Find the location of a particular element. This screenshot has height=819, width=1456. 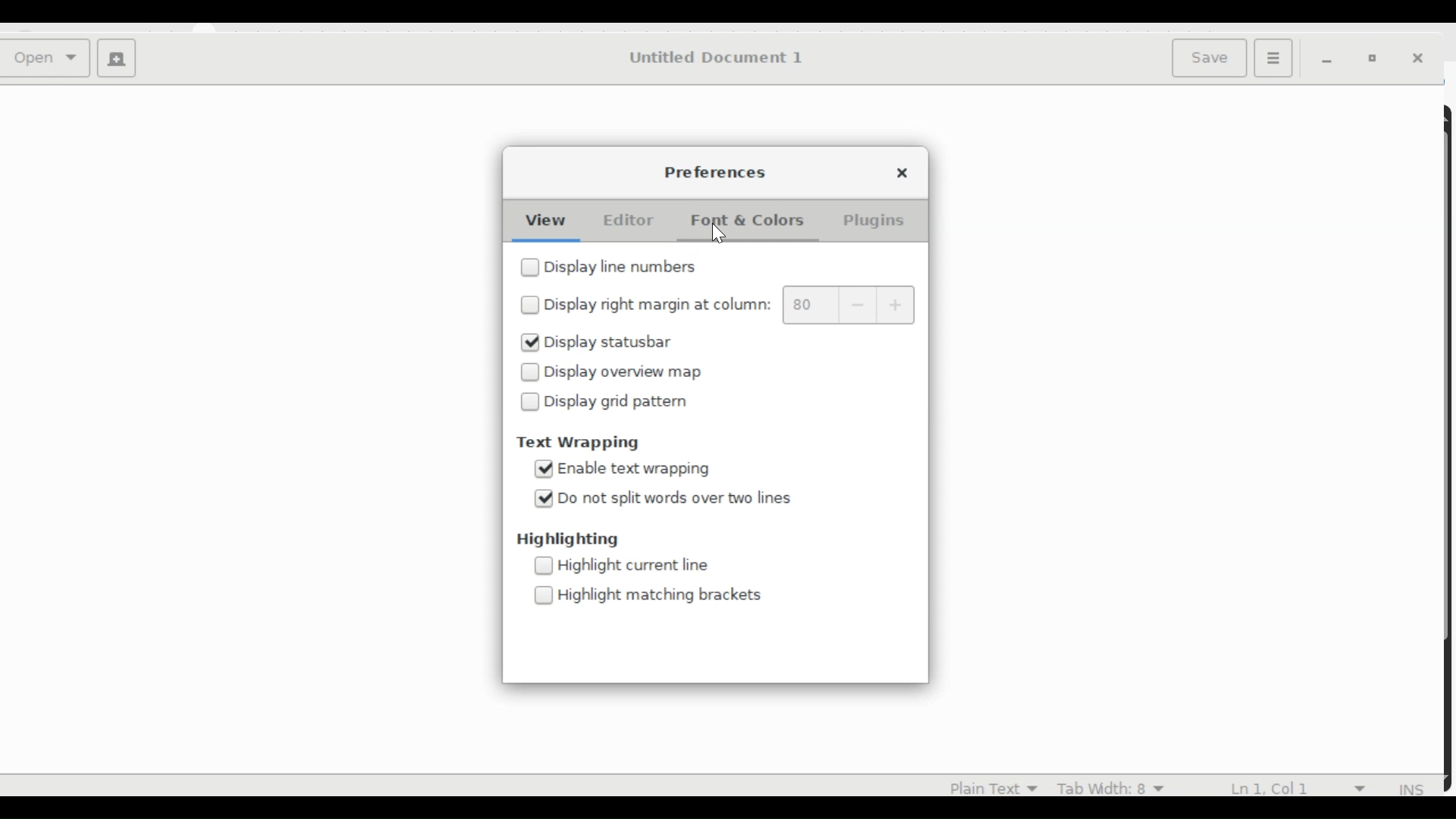

Highlight matching brackets is located at coordinates (662, 595).